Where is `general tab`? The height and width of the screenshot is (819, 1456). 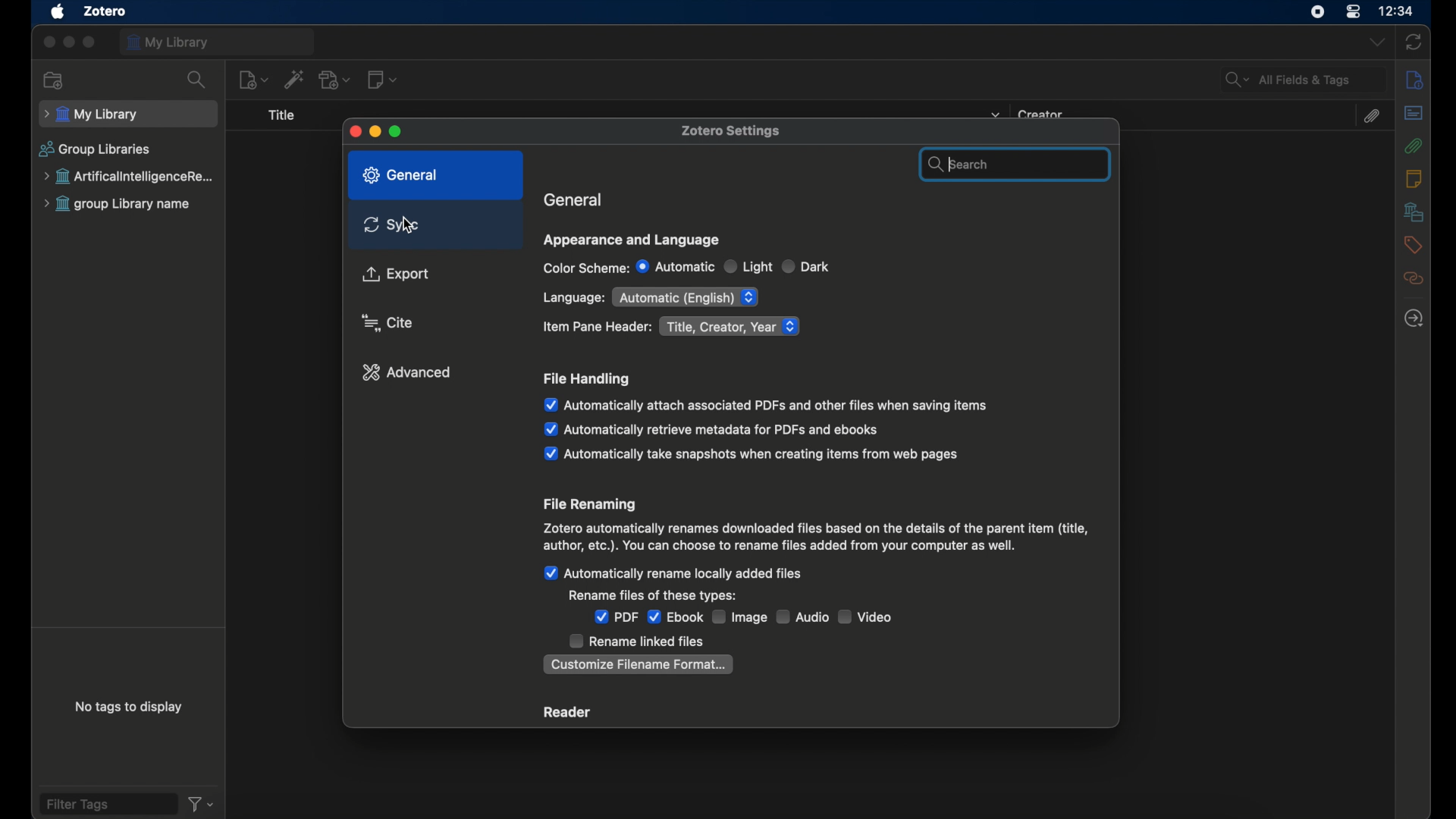 general tab is located at coordinates (435, 174).